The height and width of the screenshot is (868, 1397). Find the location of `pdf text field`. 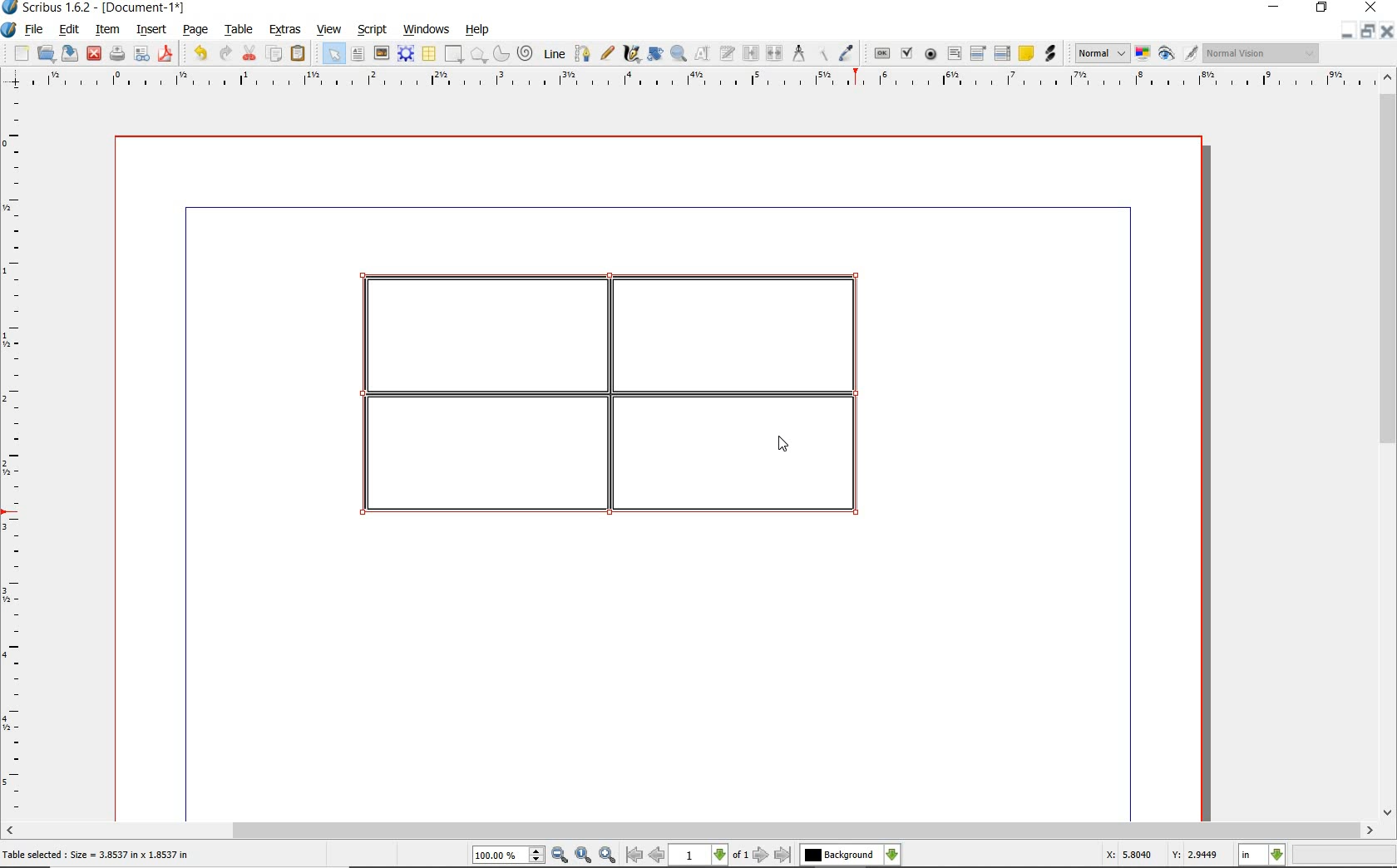

pdf text field is located at coordinates (955, 53).